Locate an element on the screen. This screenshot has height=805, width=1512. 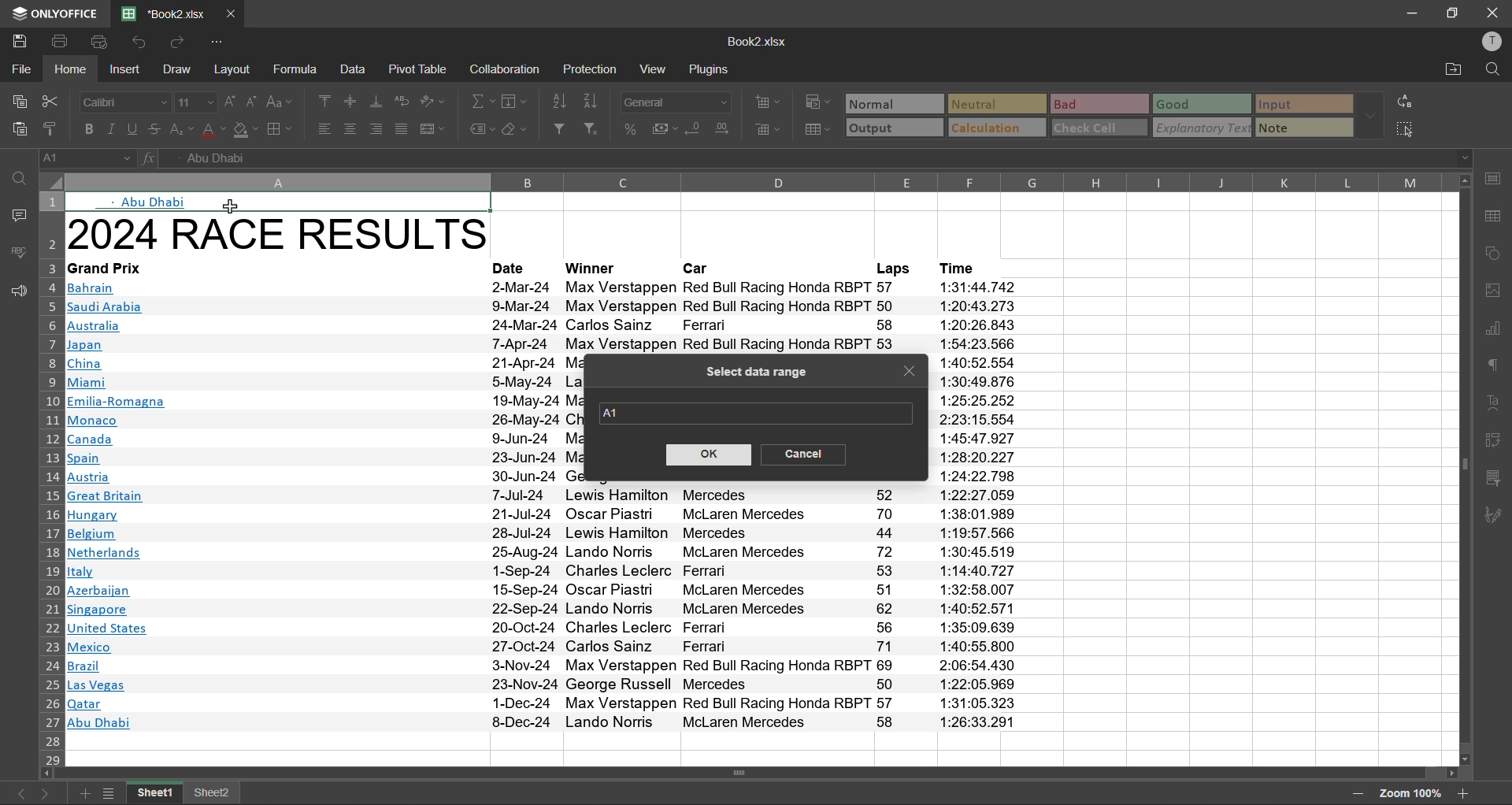
fill color is located at coordinates (243, 131).